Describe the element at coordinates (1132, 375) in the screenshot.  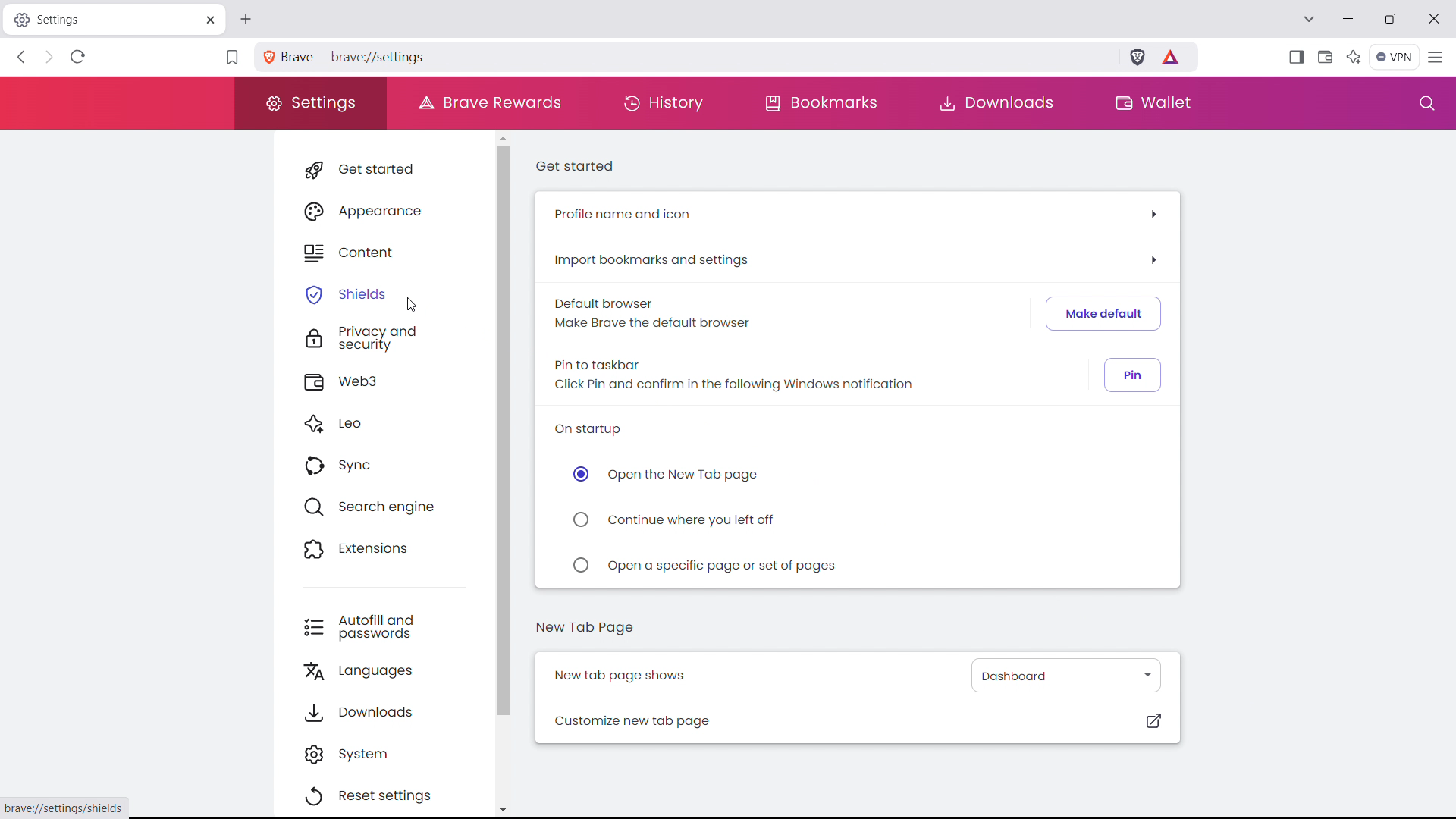
I see `pin to taskbar` at that location.